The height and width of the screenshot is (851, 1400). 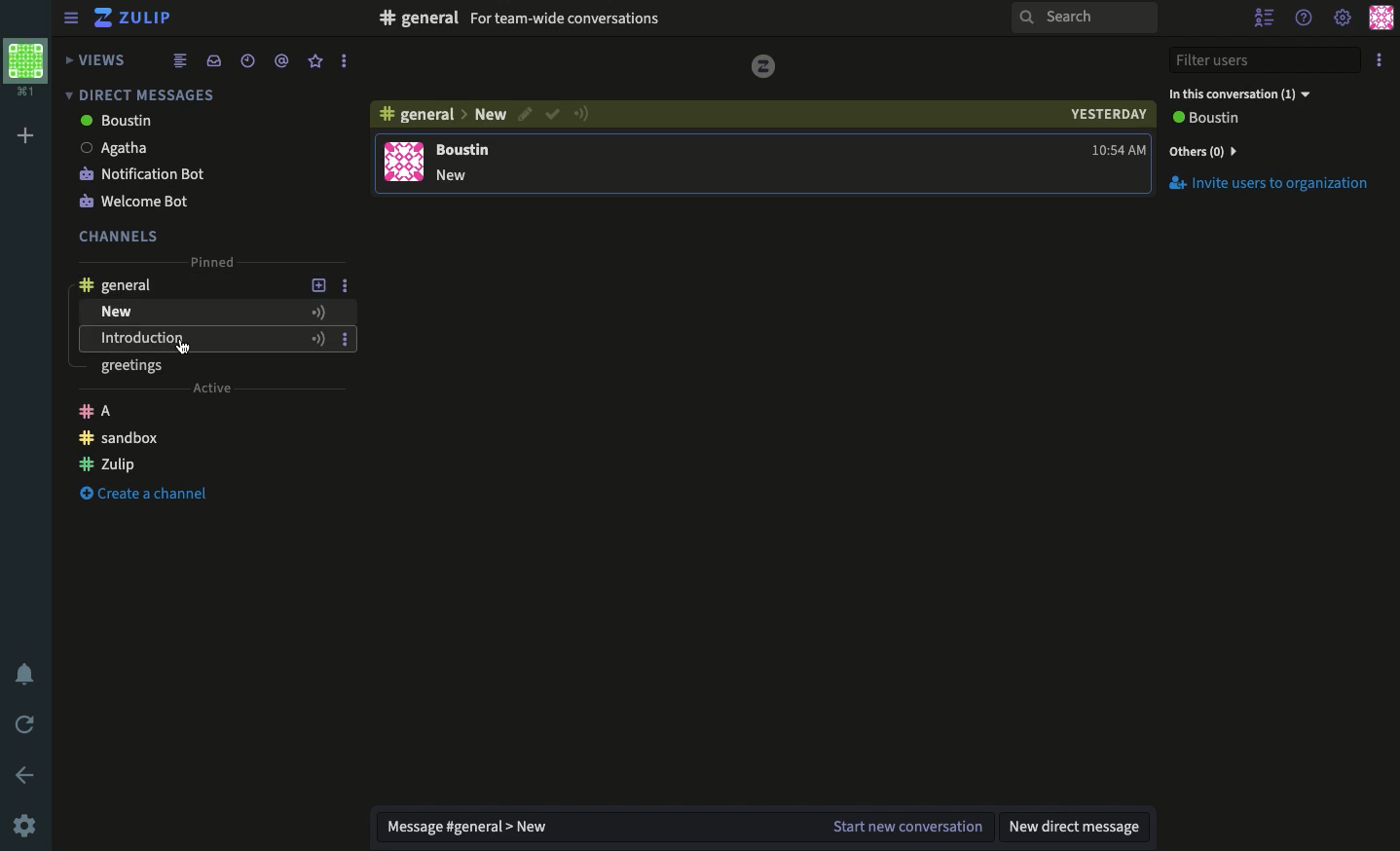 I want to click on Help, so click(x=1305, y=15).